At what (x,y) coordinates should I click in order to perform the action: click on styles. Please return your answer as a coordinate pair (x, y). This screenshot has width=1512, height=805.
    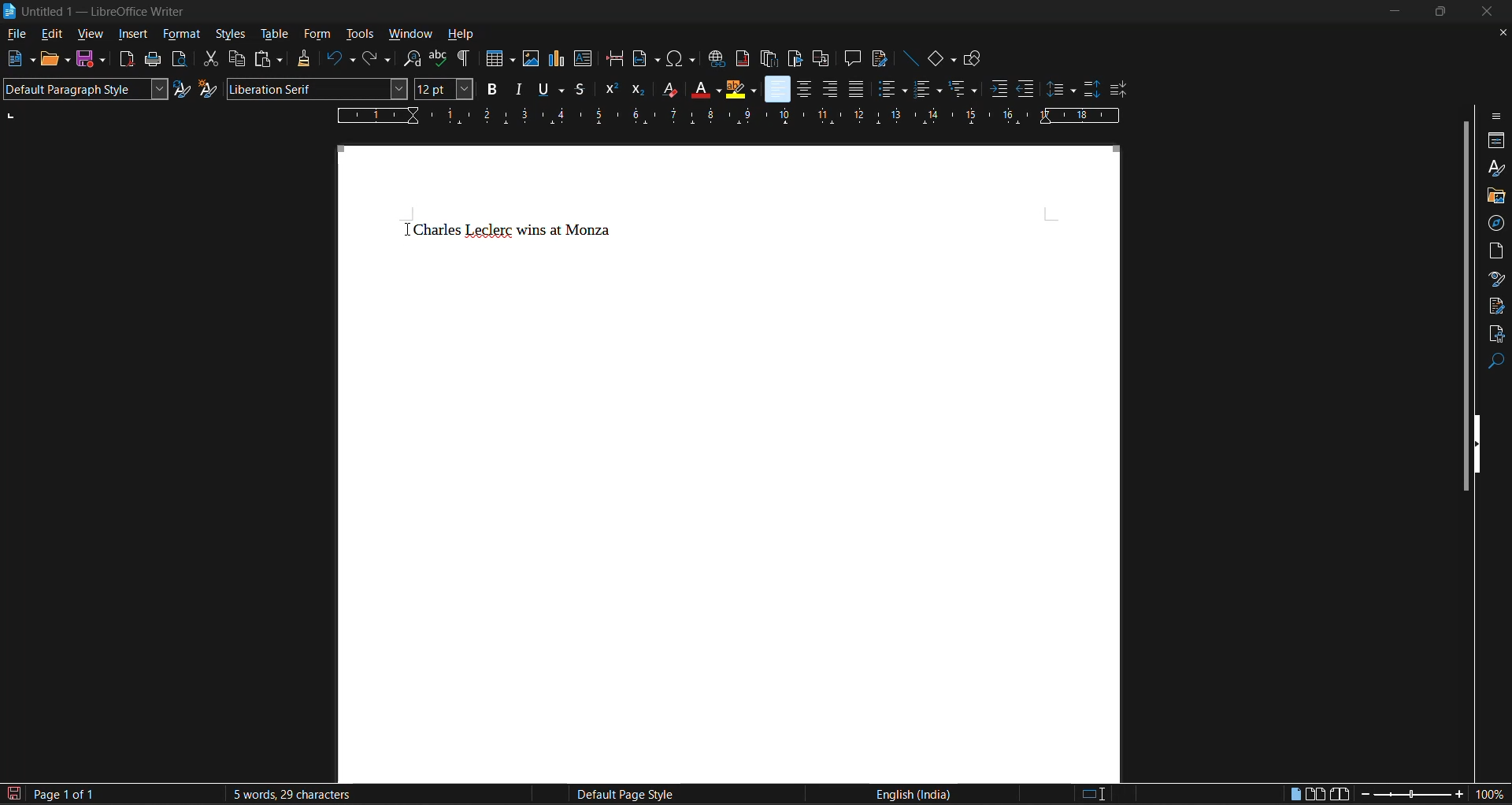
    Looking at the image, I should click on (231, 33).